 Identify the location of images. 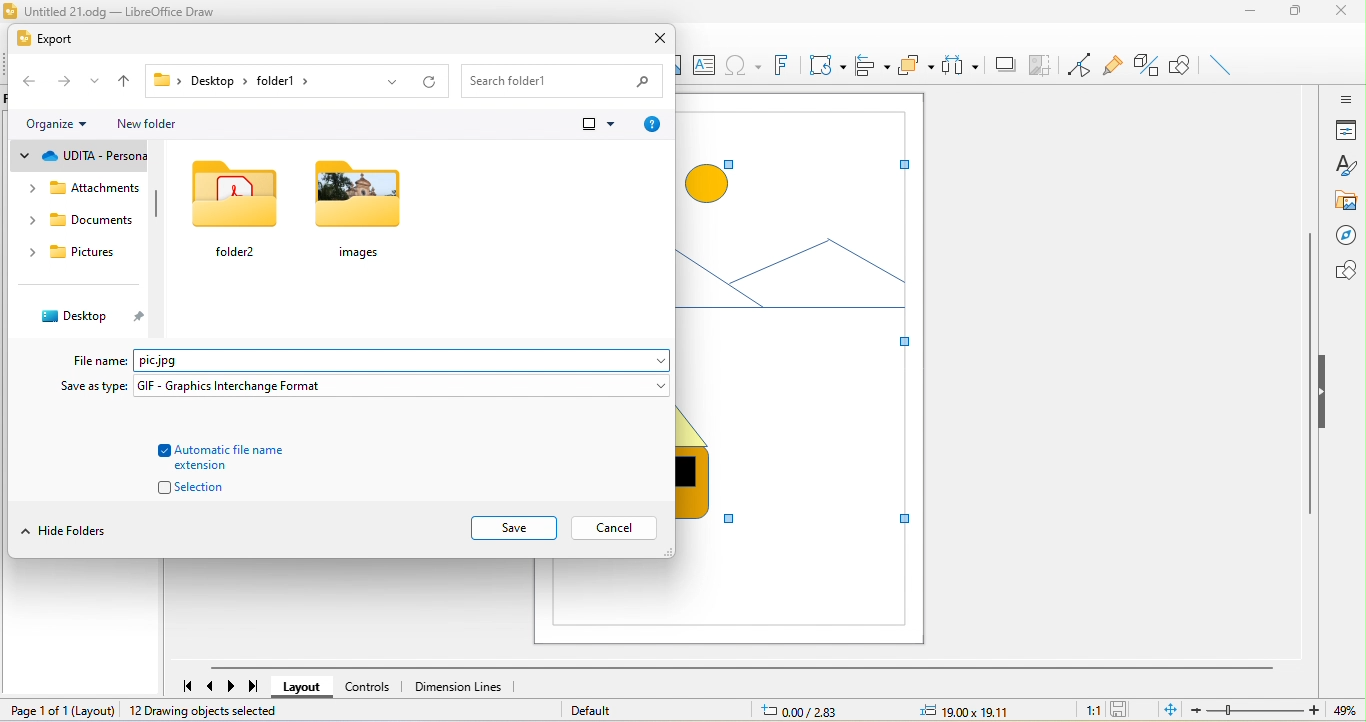
(362, 210).